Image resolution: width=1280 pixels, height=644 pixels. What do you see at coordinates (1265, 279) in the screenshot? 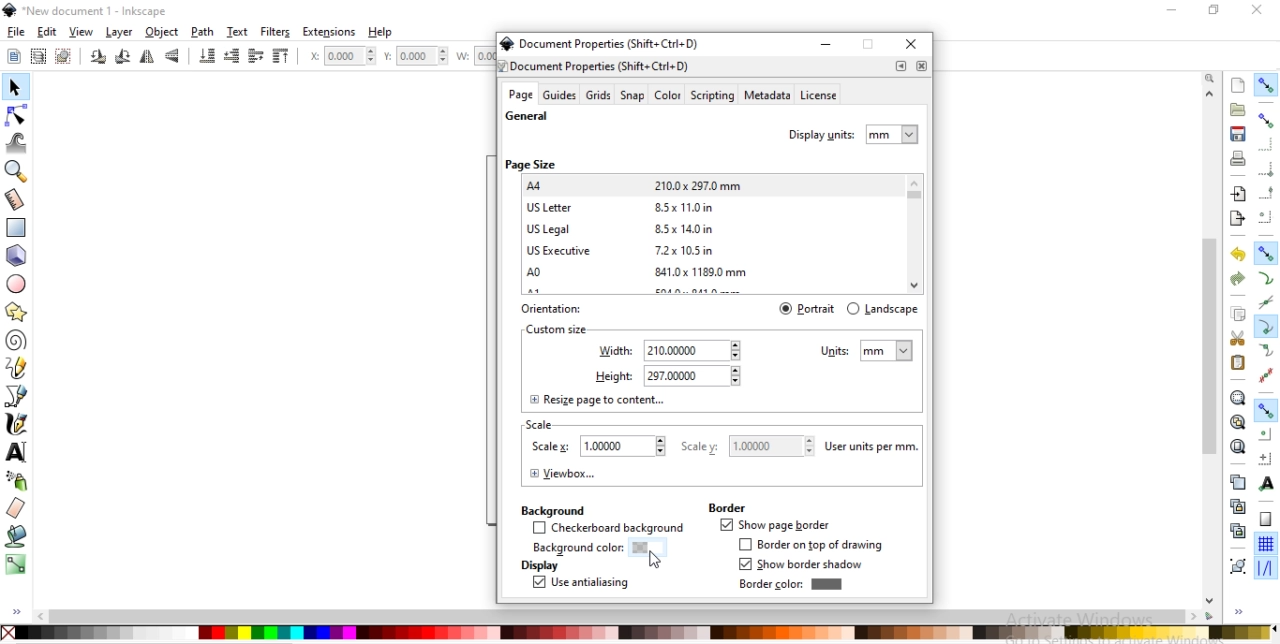
I see `snap to paths` at bounding box center [1265, 279].